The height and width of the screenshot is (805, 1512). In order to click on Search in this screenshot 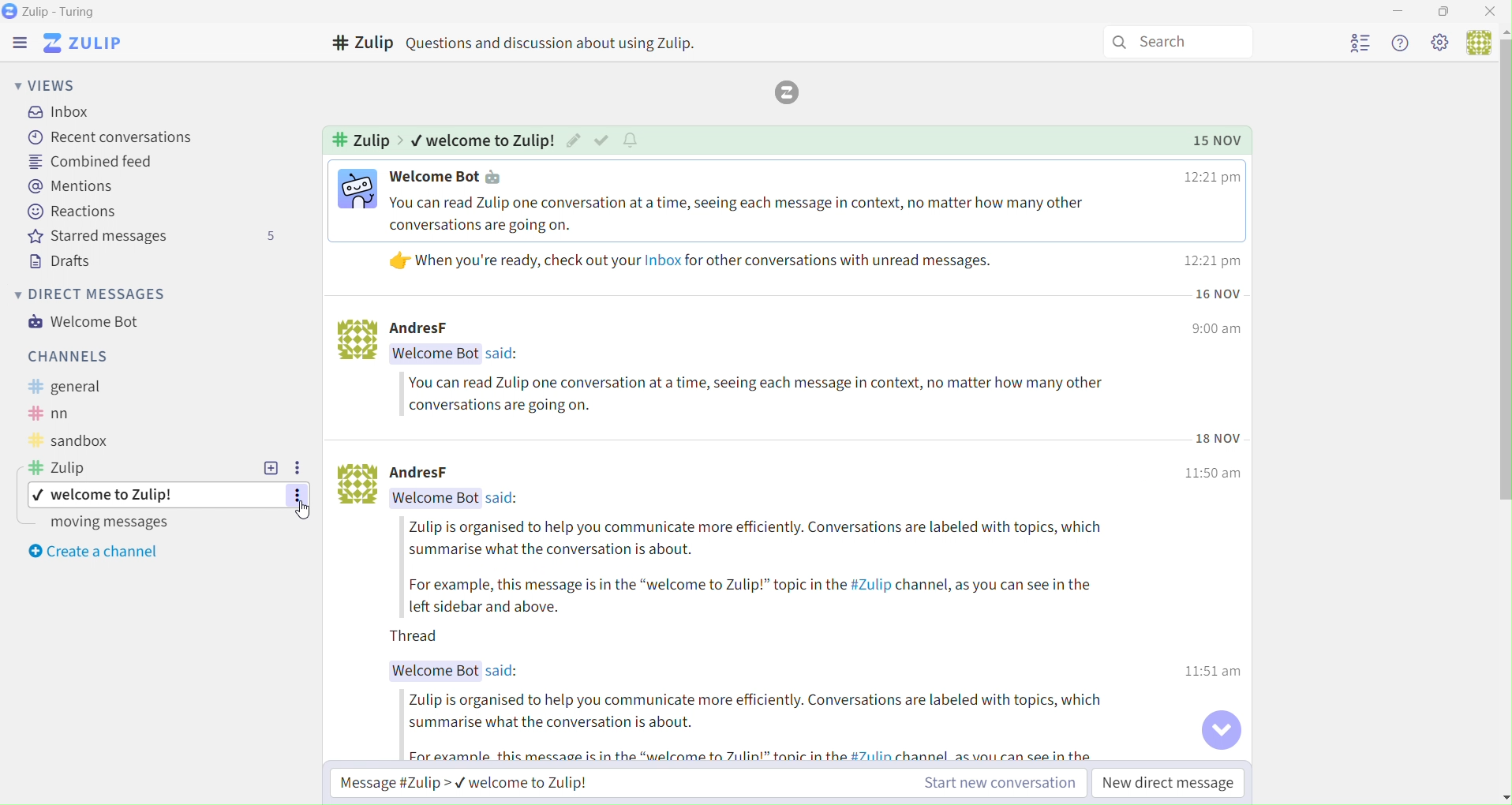, I will do `click(1177, 43)`.